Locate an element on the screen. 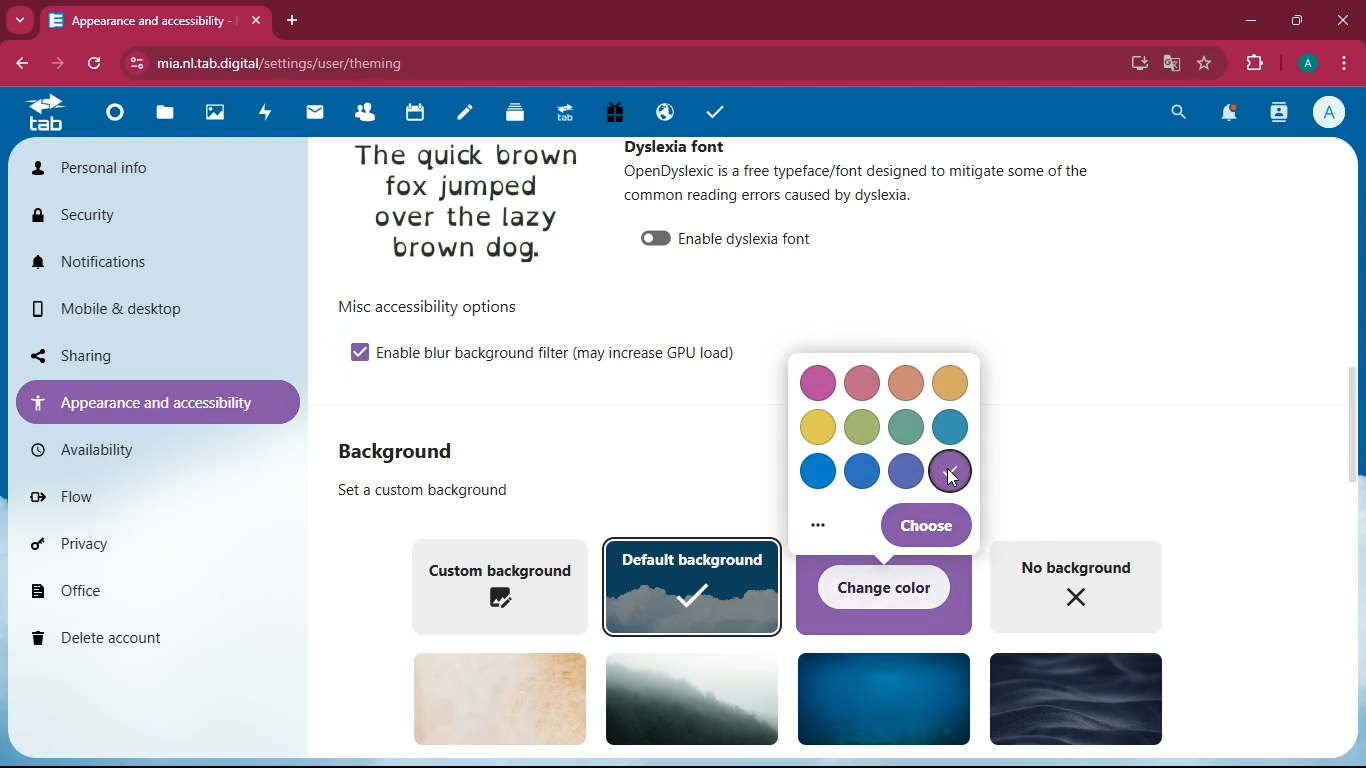  color is located at coordinates (949, 386).